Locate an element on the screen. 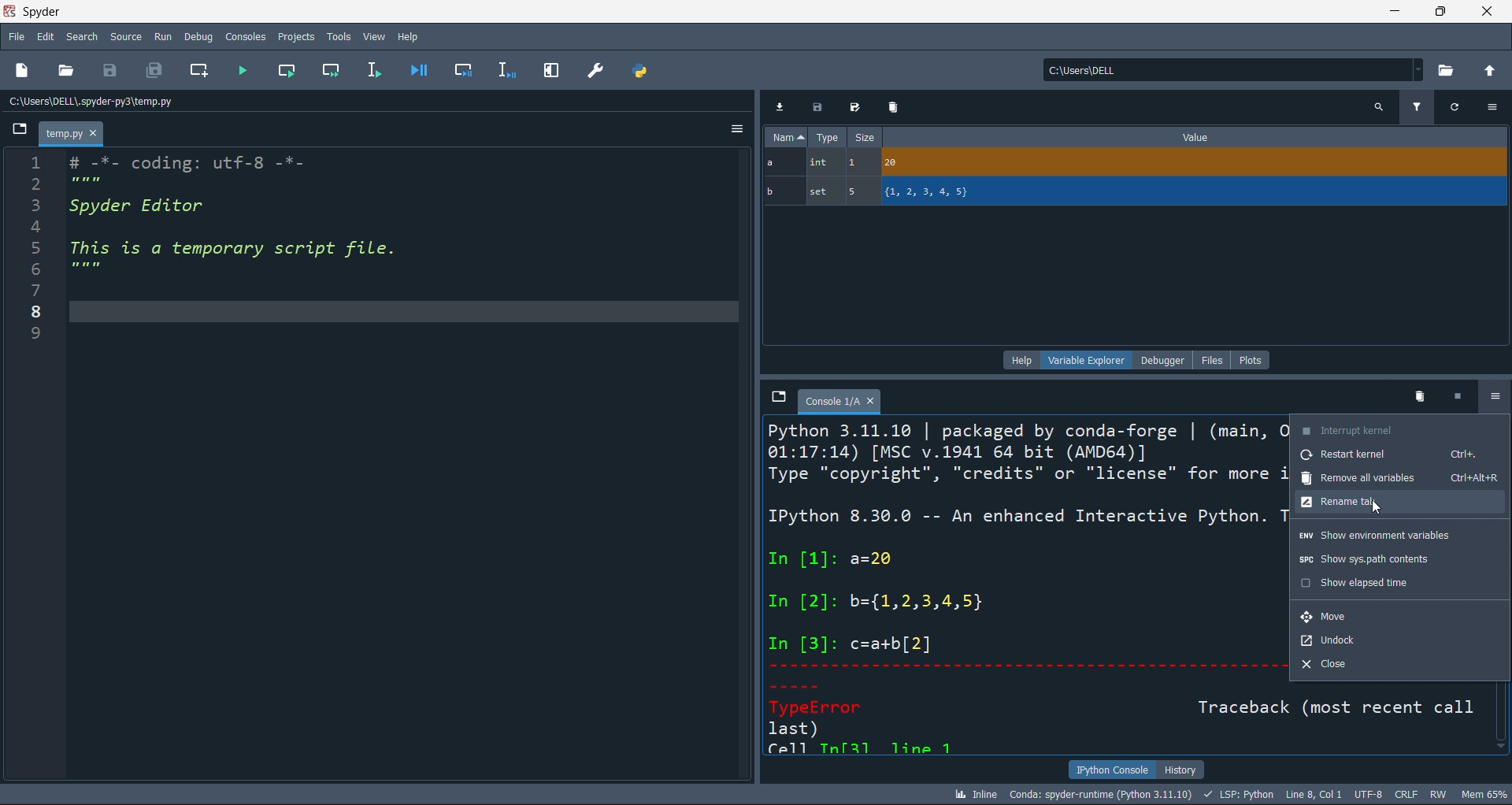 The width and height of the screenshot is (1512, 805). run line is located at coordinates (372, 72).